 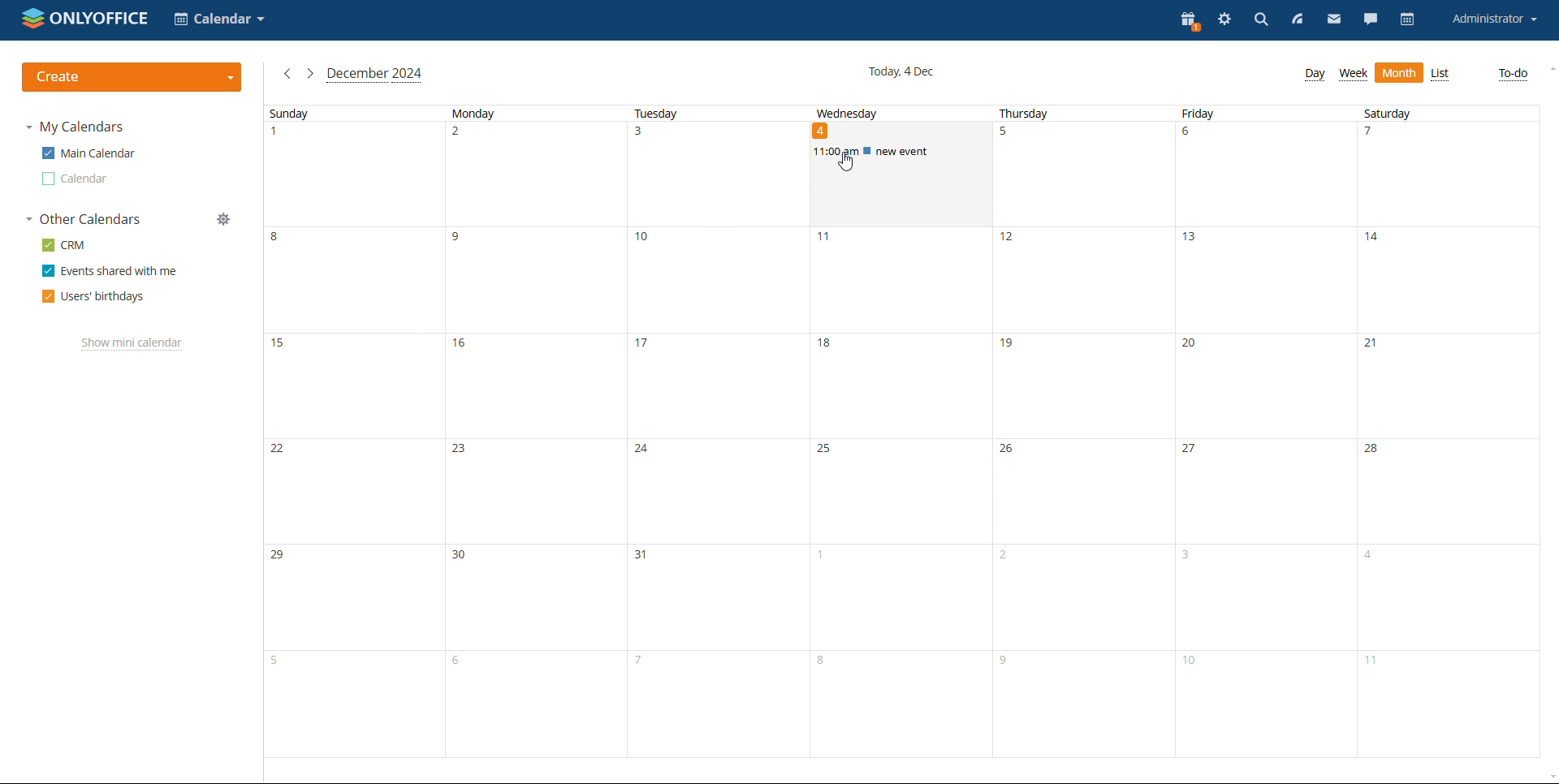 I want to click on month view, so click(x=1440, y=75).